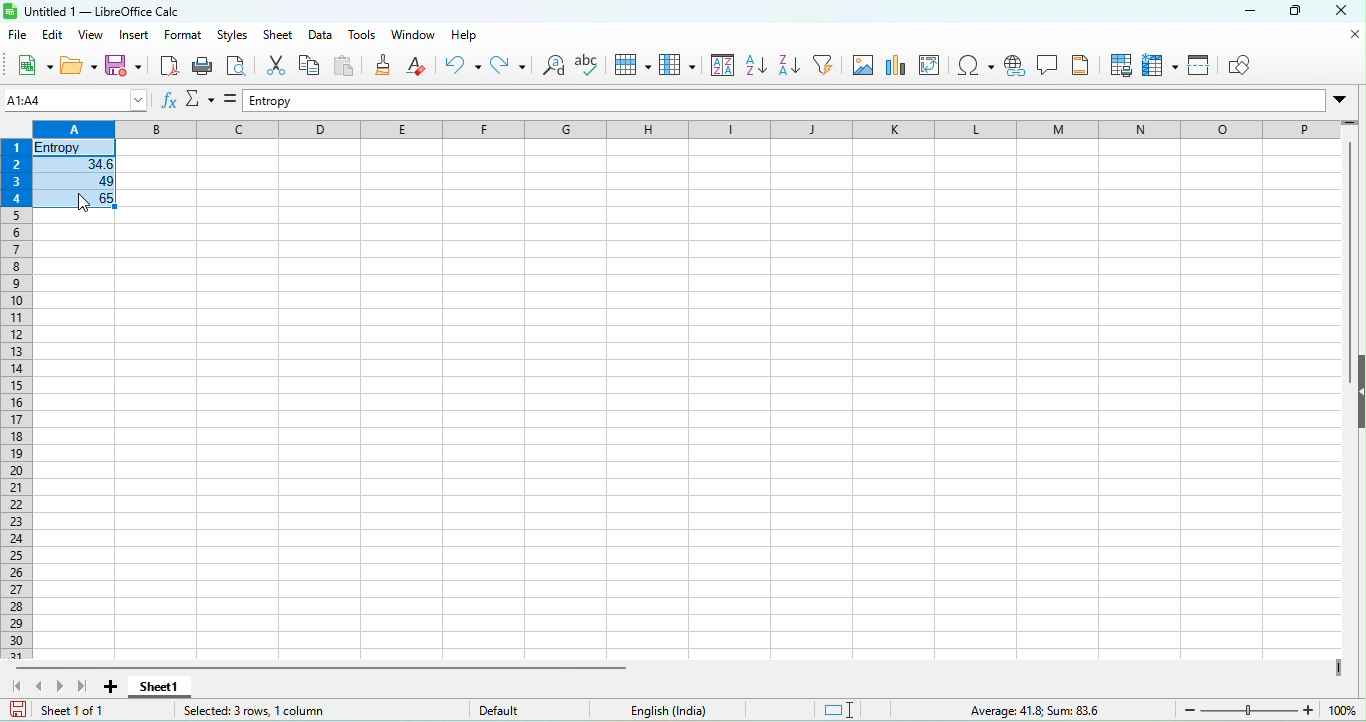 This screenshot has width=1366, height=722. Describe the element at coordinates (1353, 237) in the screenshot. I see `vertical scroll bar` at that location.